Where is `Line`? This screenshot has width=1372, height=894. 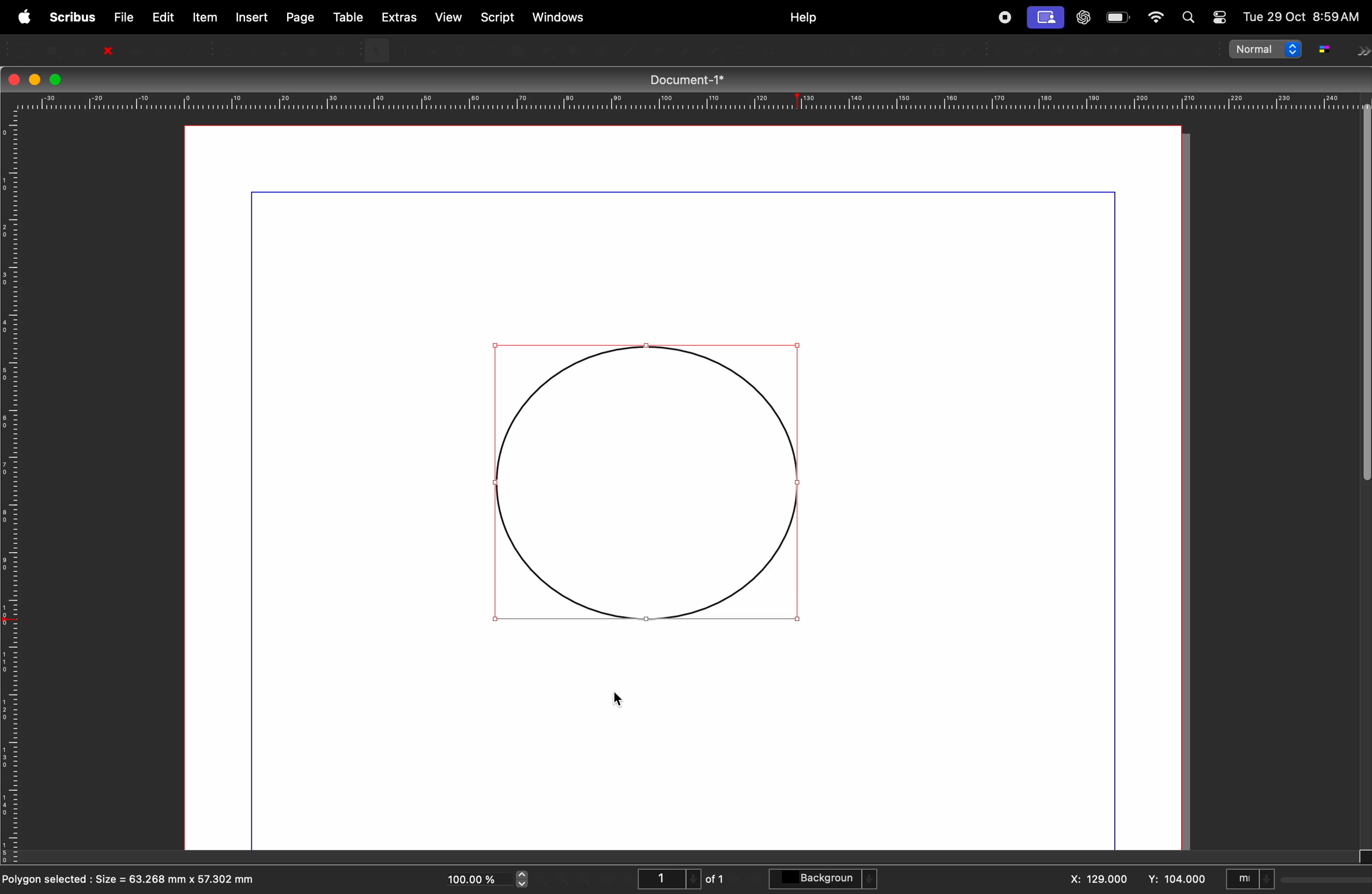 Line is located at coordinates (632, 50).